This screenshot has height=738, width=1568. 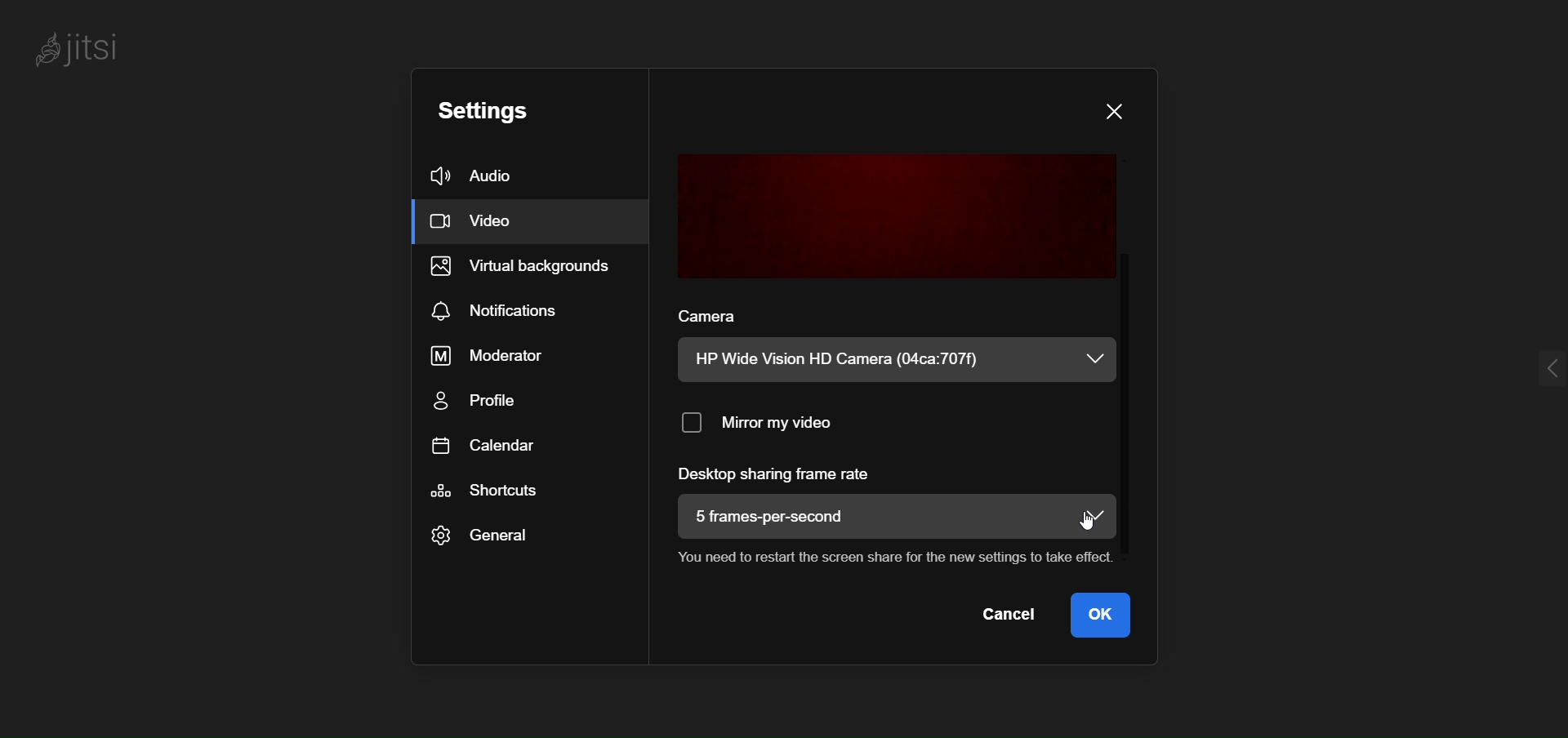 I want to click on cursor, so click(x=1090, y=529).